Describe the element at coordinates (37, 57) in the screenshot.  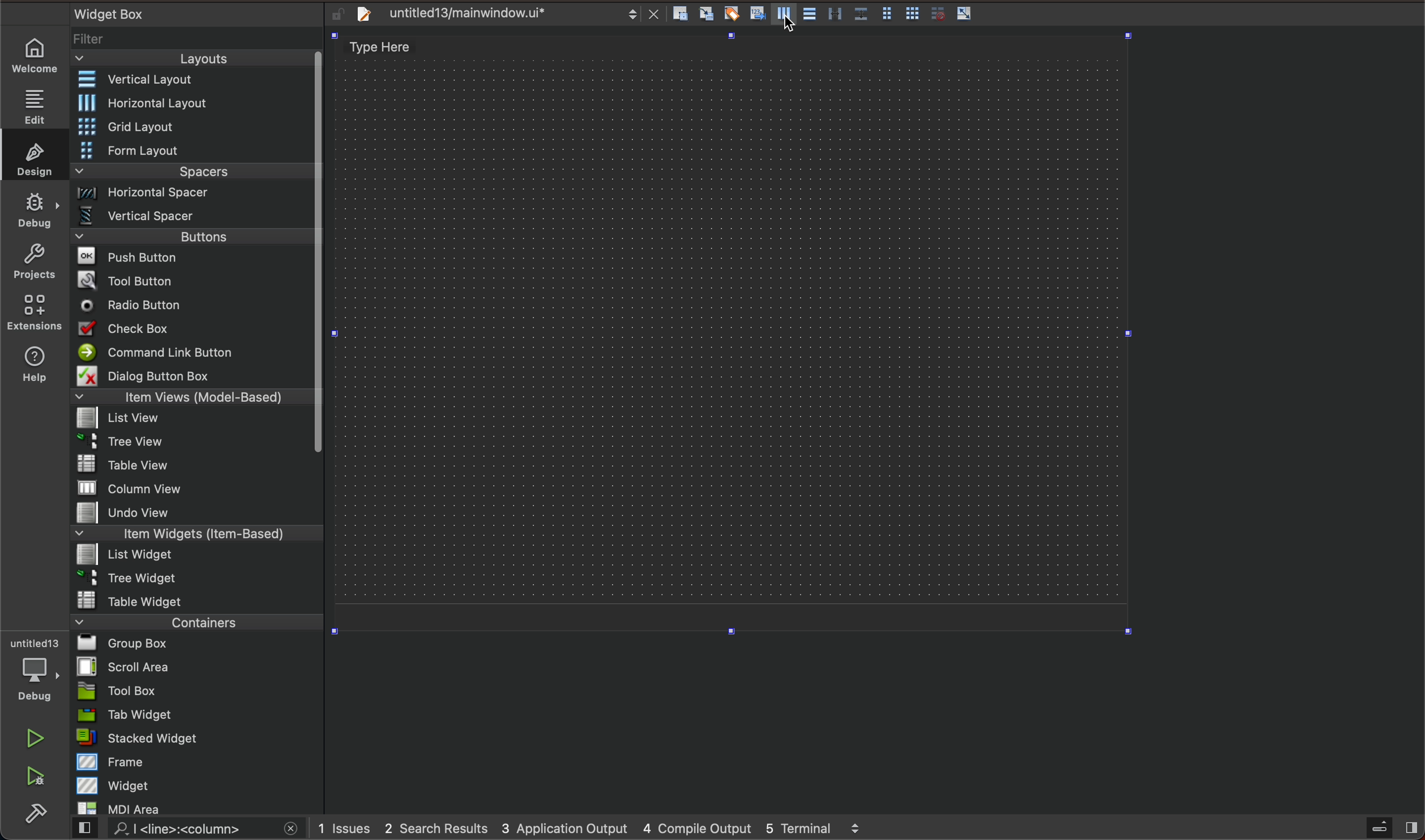
I see `home` at that location.